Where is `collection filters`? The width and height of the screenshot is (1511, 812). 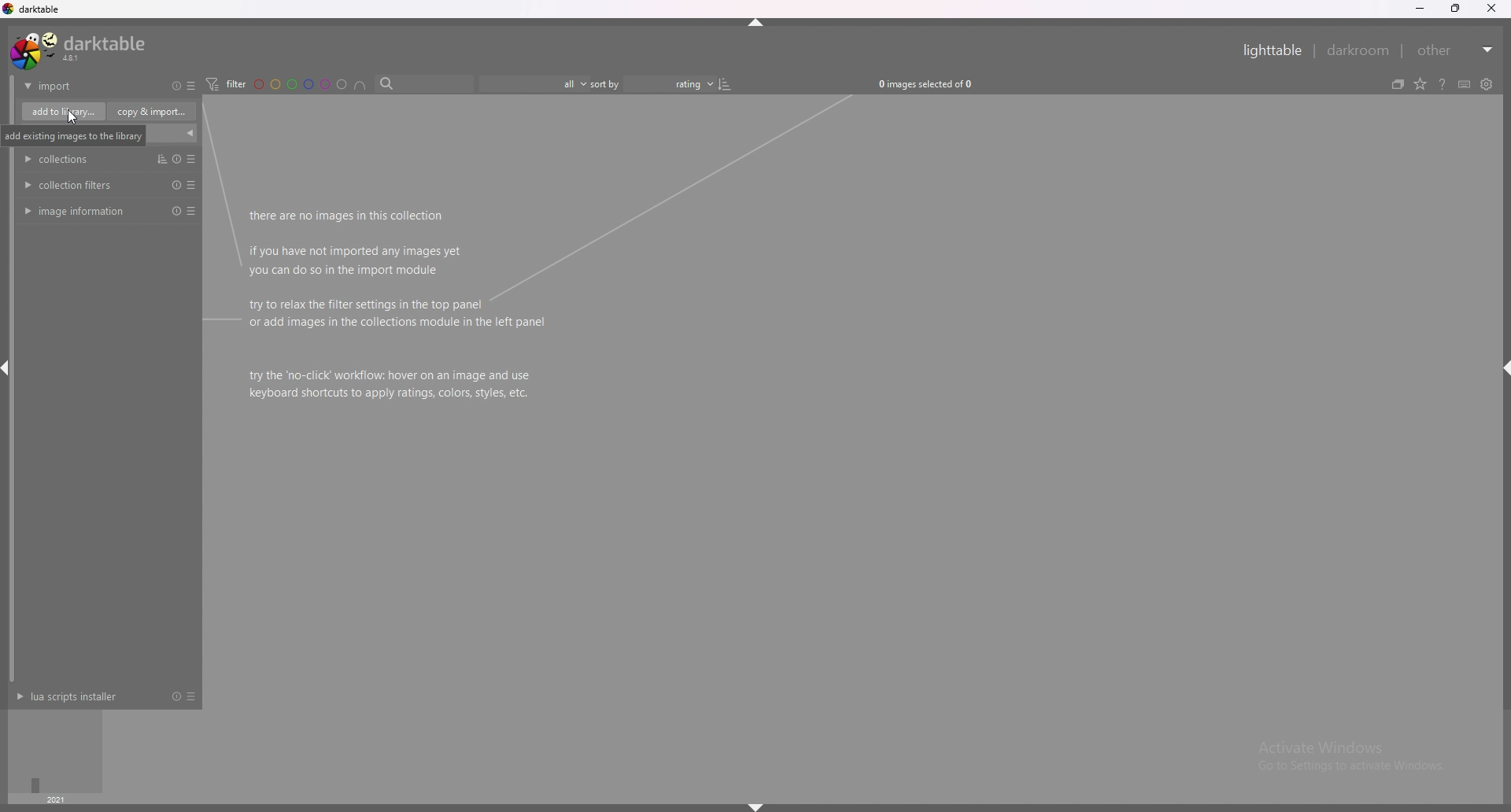
collection filters is located at coordinates (71, 185).